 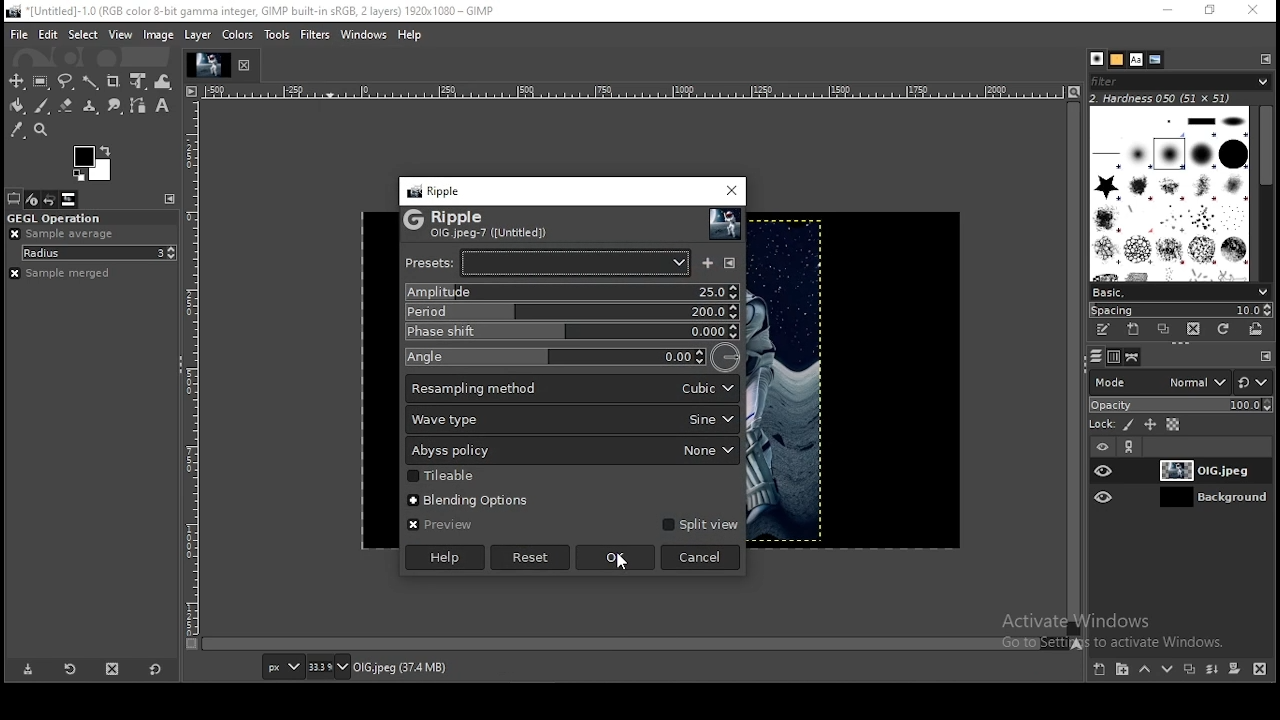 I want to click on radius, so click(x=100, y=253).